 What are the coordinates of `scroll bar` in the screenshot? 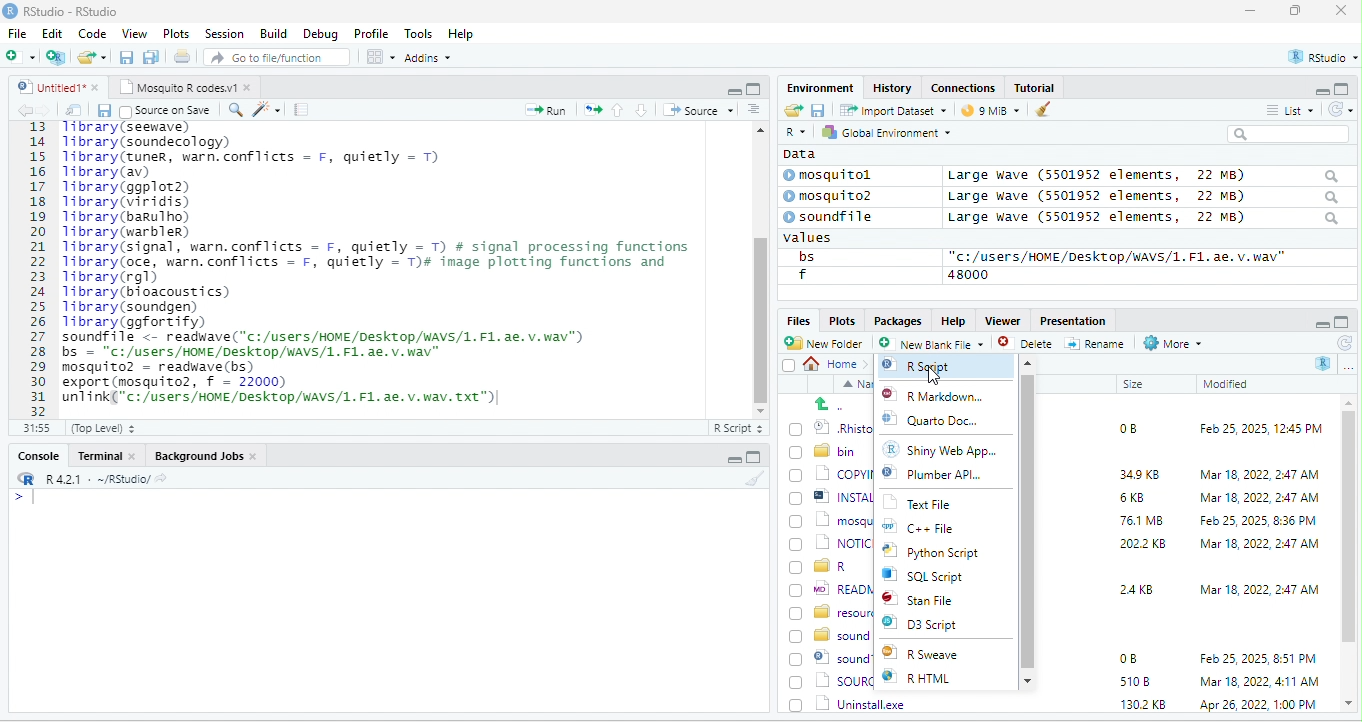 It's located at (759, 267).